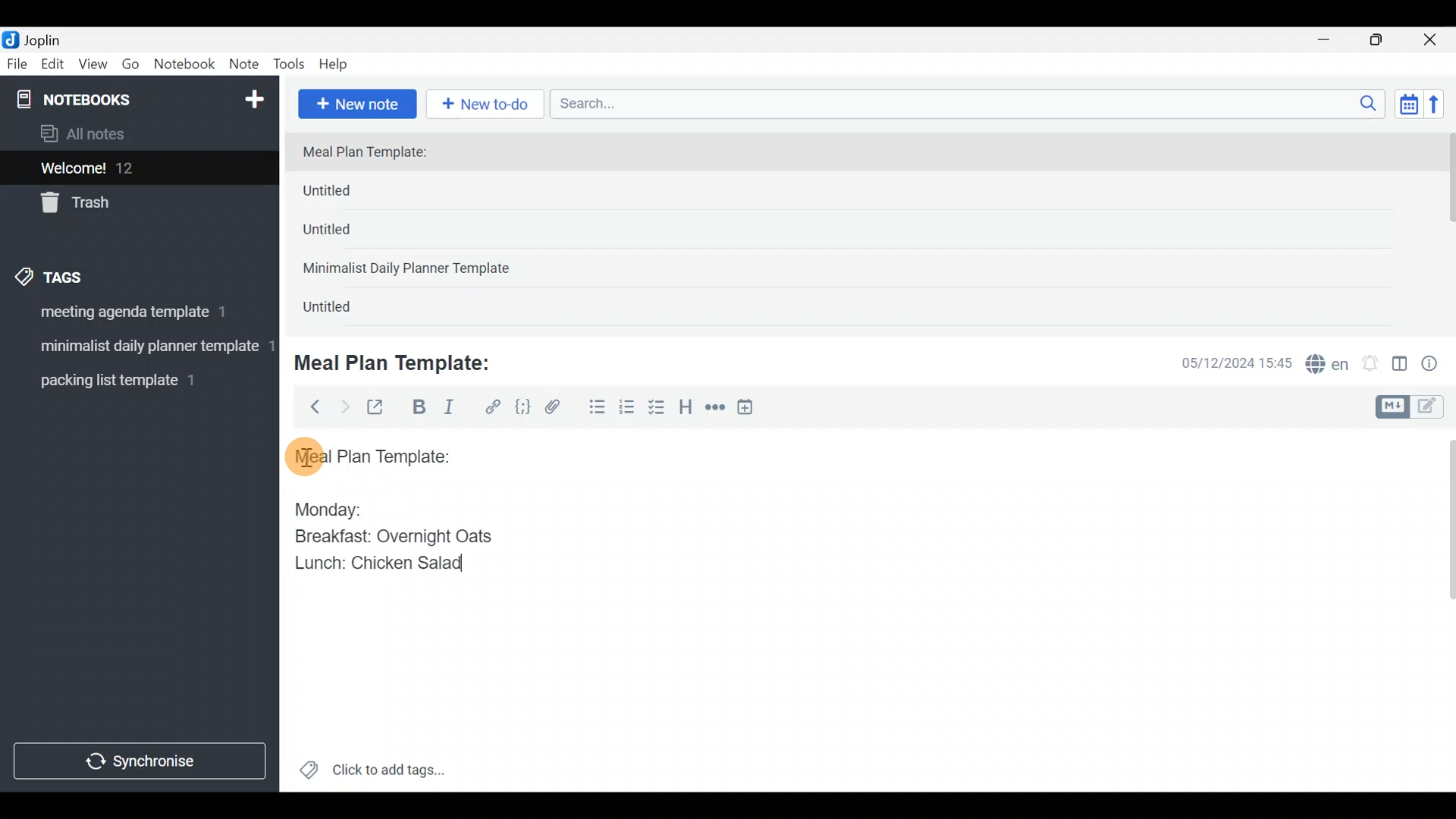 This screenshot has width=1456, height=819. What do you see at coordinates (142, 761) in the screenshot?
I see `Synchronize` at bounding box center [142, 761].